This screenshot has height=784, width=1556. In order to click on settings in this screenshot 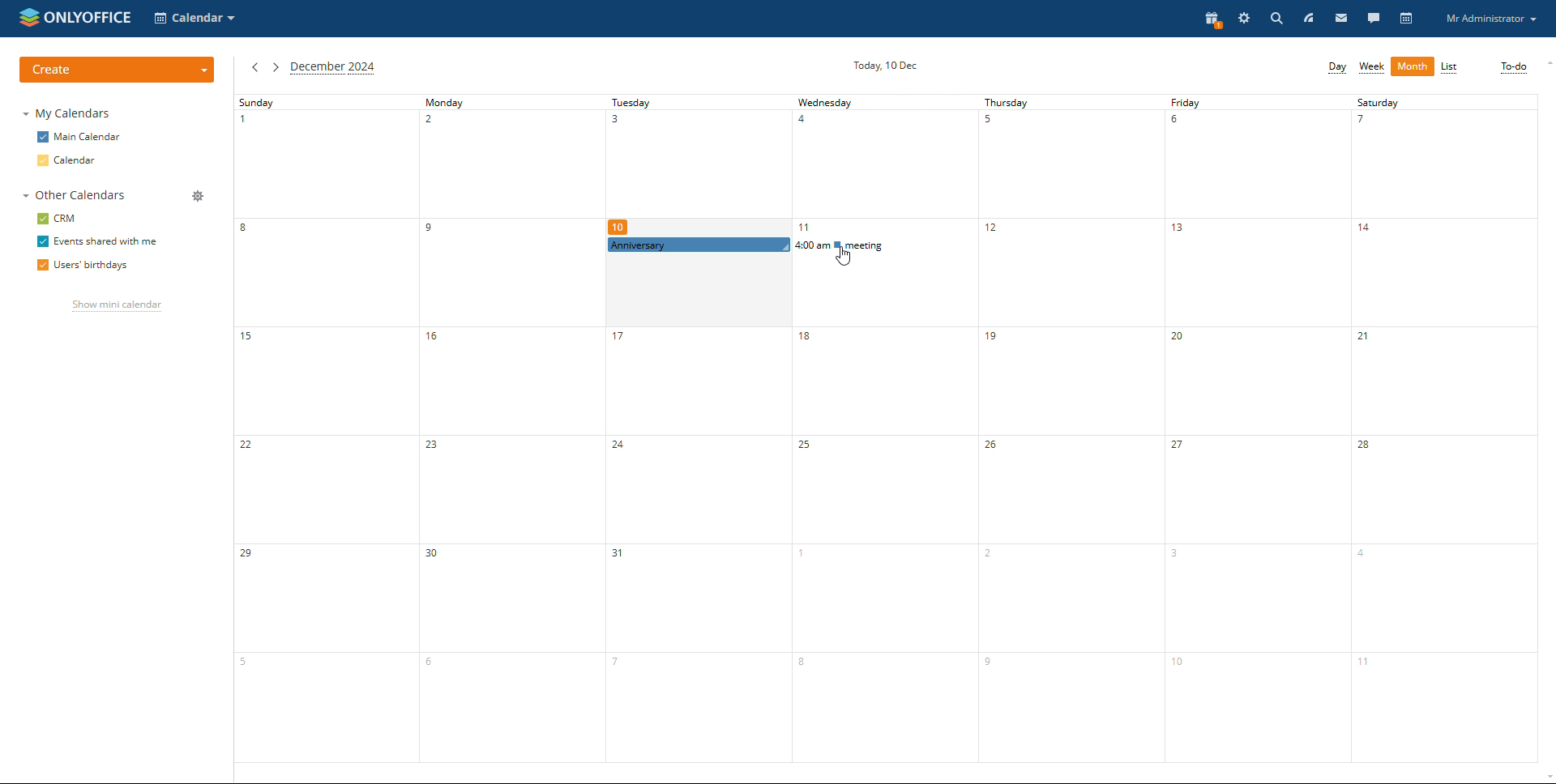, I will do `click(1244, 19)`.